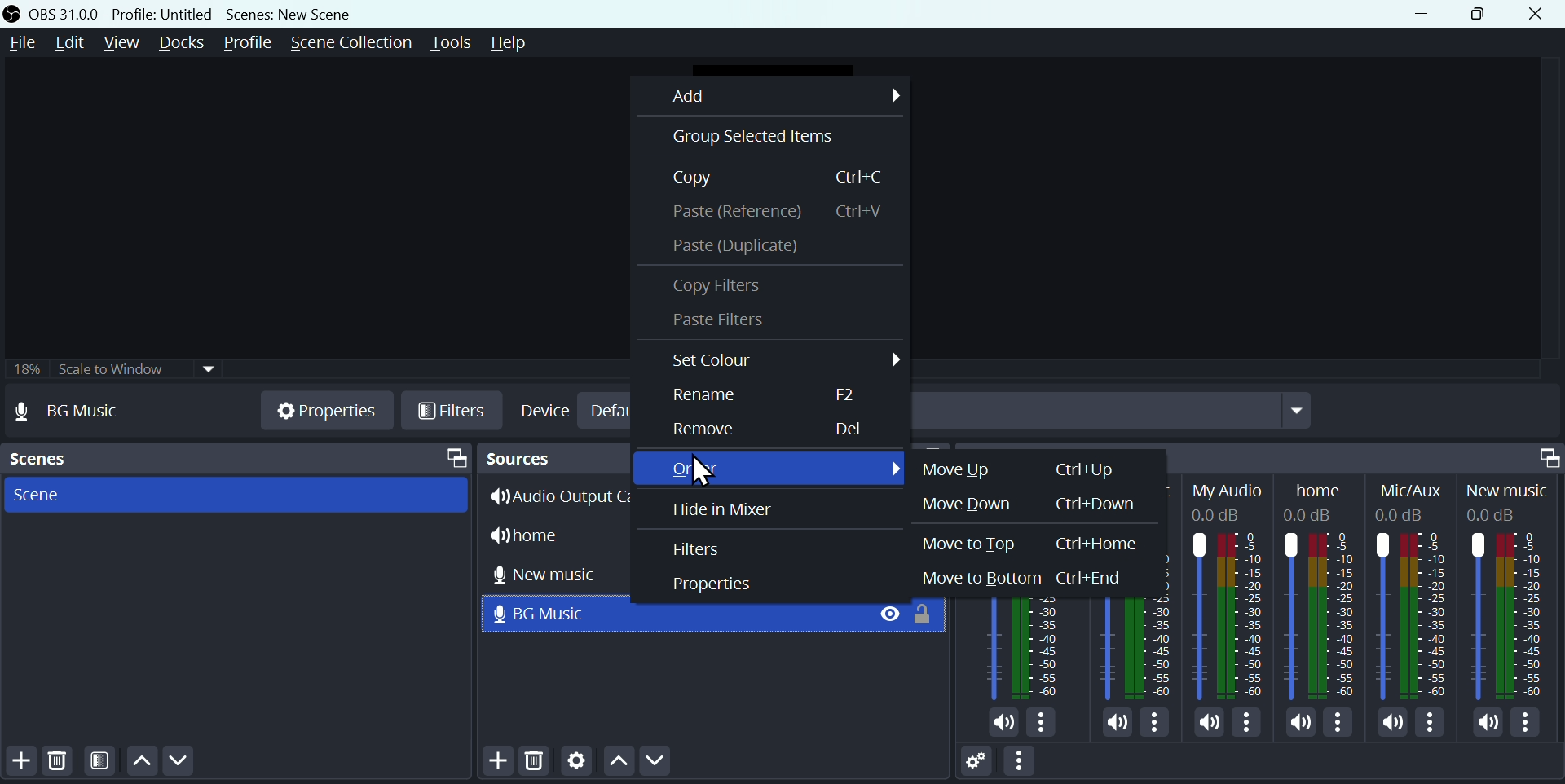  I want to click on More, so click(1249, 724).